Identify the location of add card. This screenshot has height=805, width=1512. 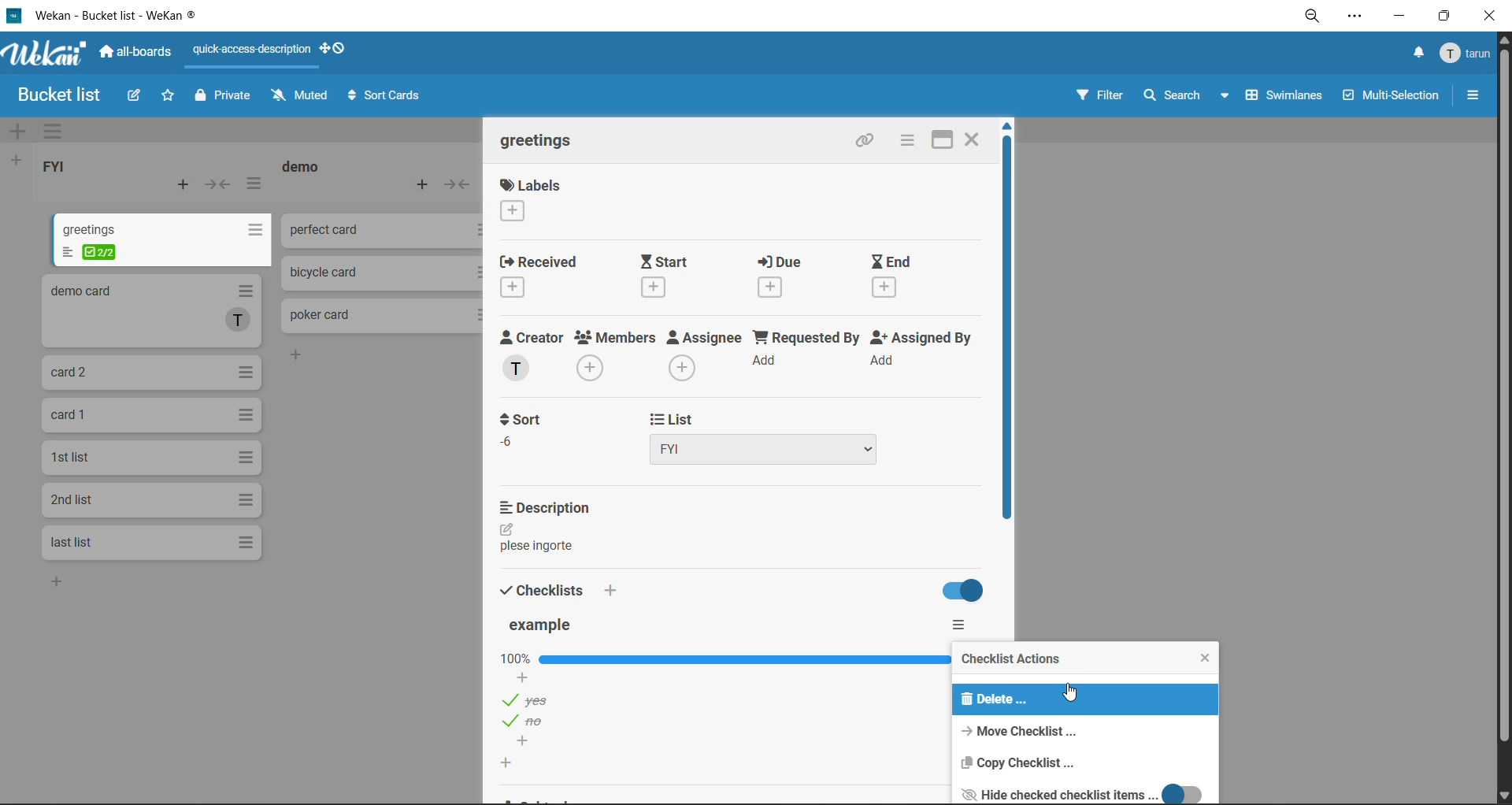
(188, 186).